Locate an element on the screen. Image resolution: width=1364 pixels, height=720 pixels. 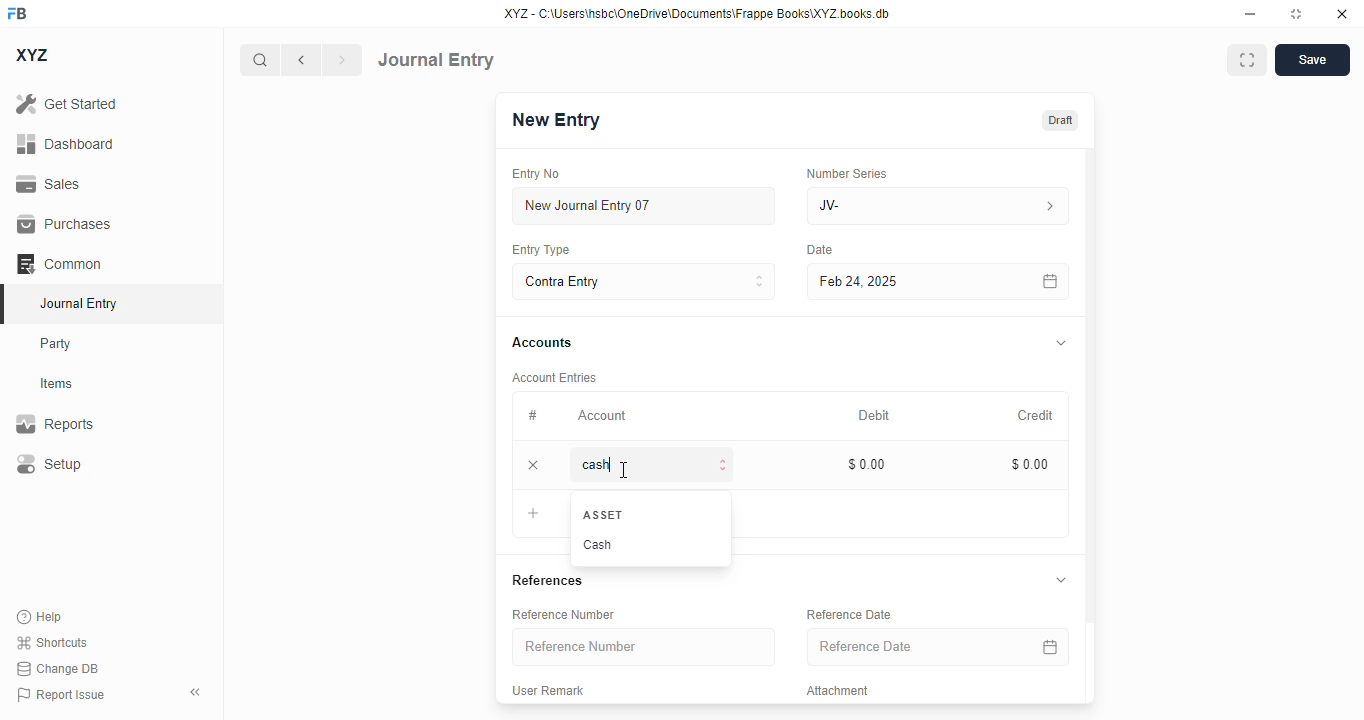
toggle expand/collapse is located at coordinates (1062, 580).